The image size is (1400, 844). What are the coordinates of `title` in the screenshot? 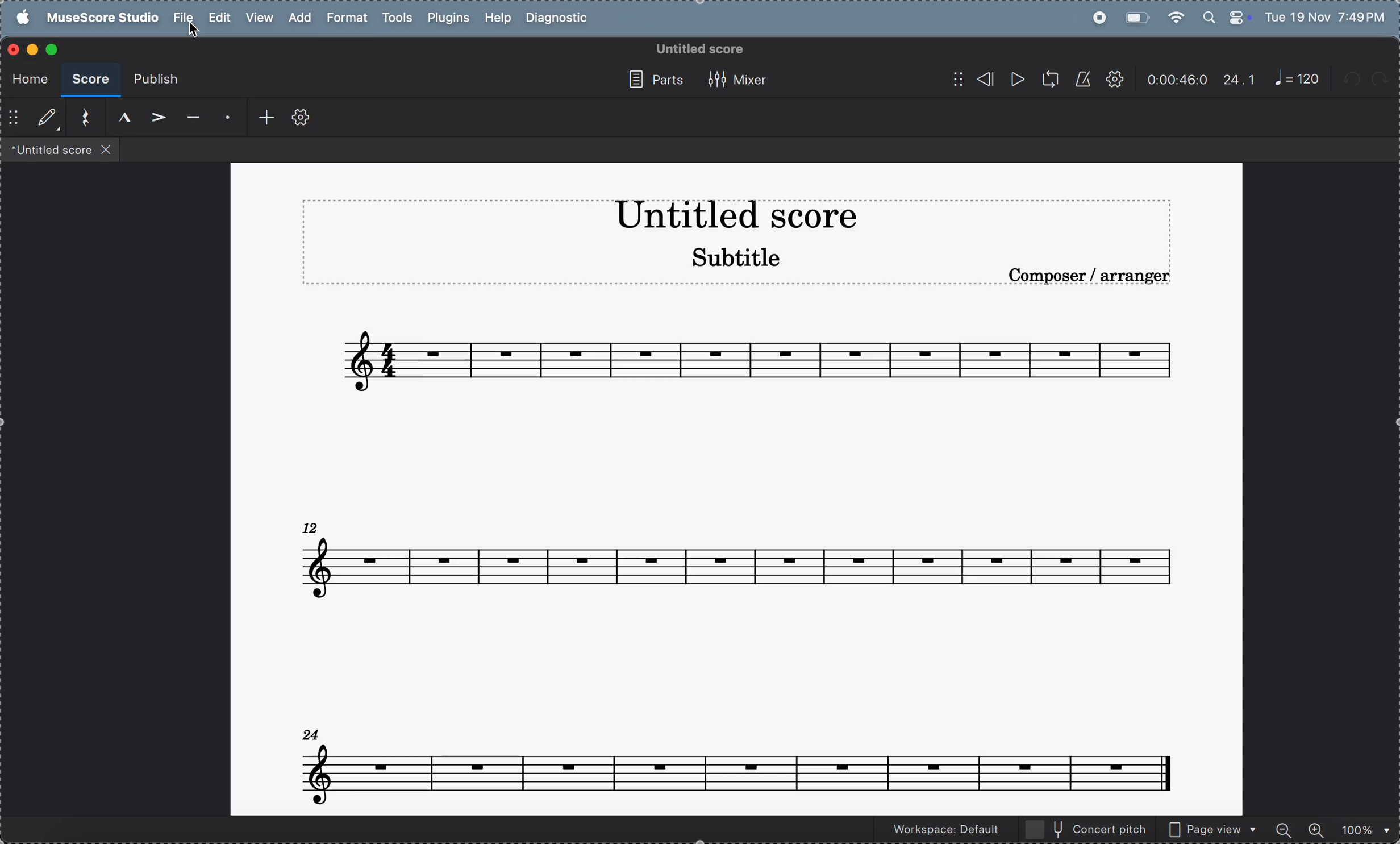 It's located at (735, 218).